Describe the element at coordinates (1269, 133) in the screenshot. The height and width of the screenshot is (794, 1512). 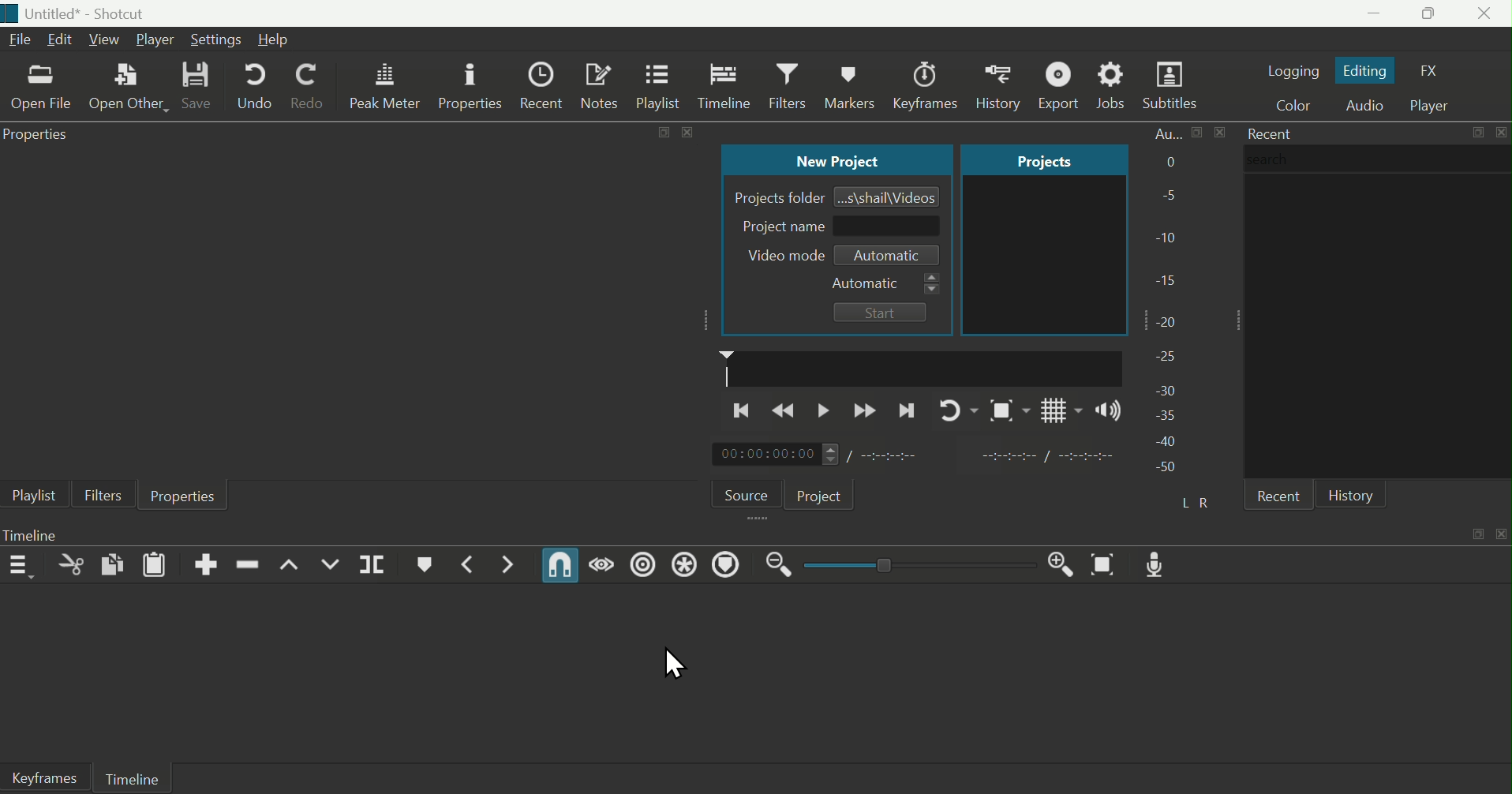
I see `Recent` at that location.